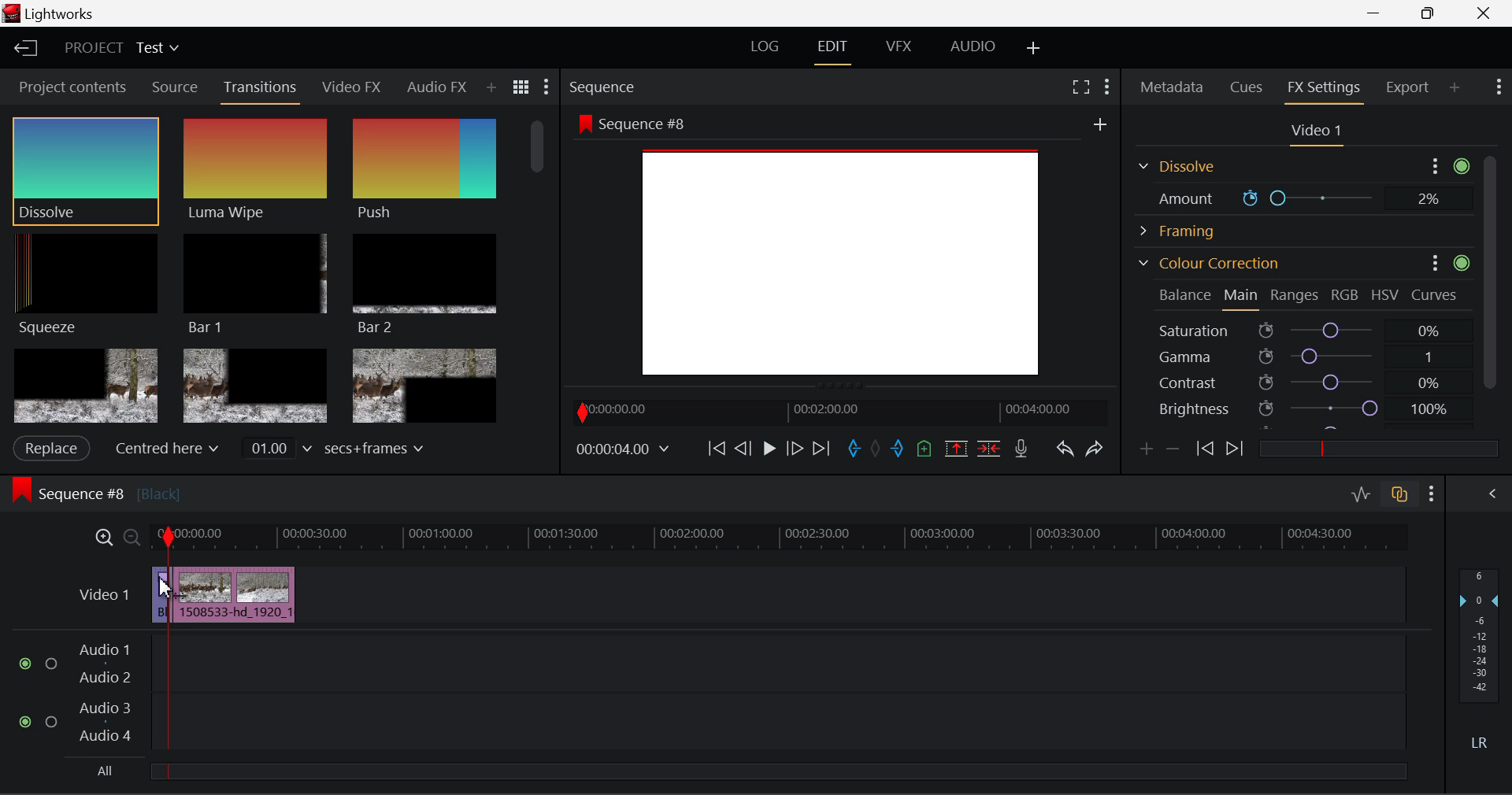  What do you see at coordinates (86, 386) in the screenshot?
I see `Box 1` at bounding box center [86, 386].